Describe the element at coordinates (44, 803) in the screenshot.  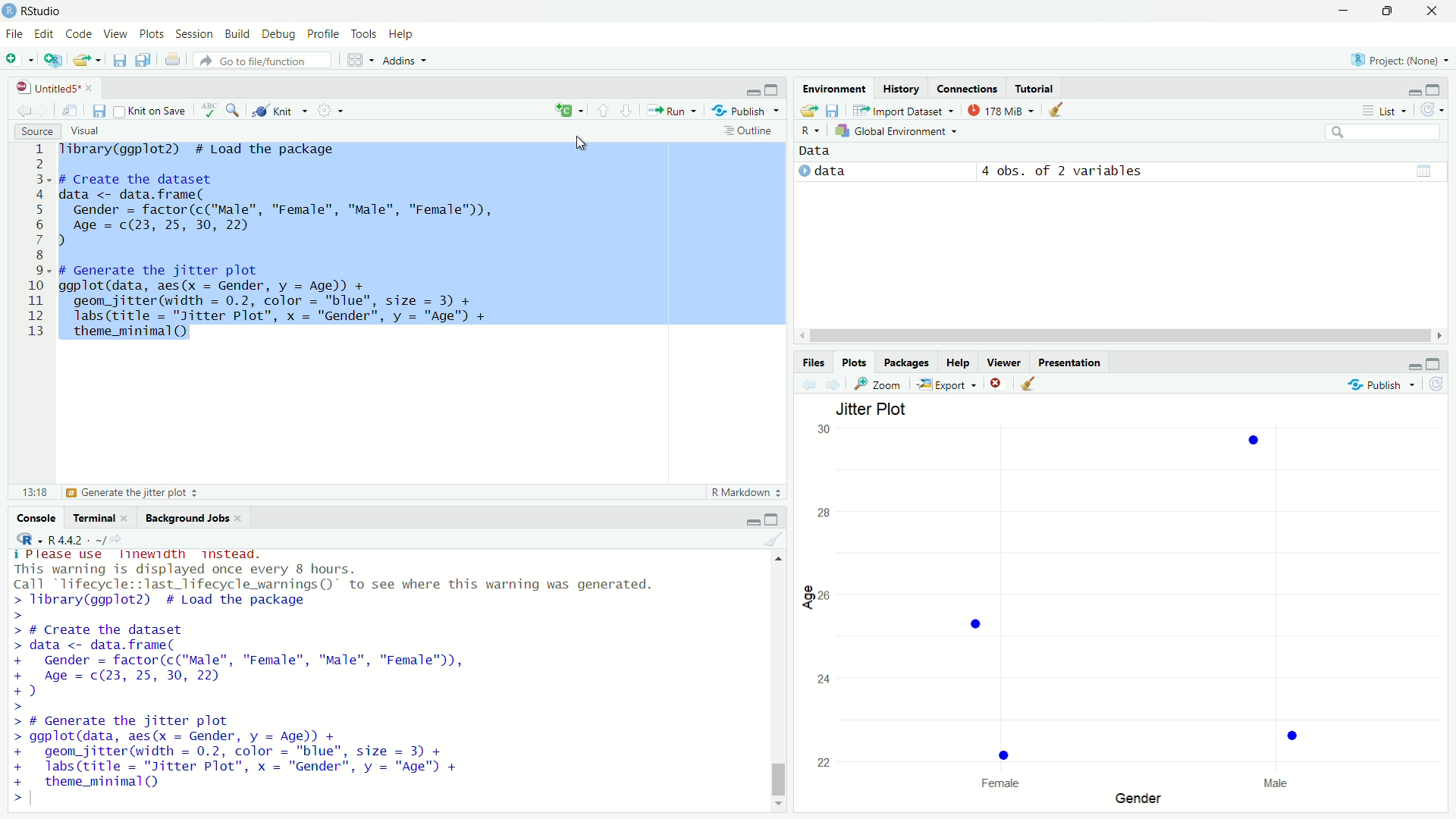
I see `typing cursor` at that location.